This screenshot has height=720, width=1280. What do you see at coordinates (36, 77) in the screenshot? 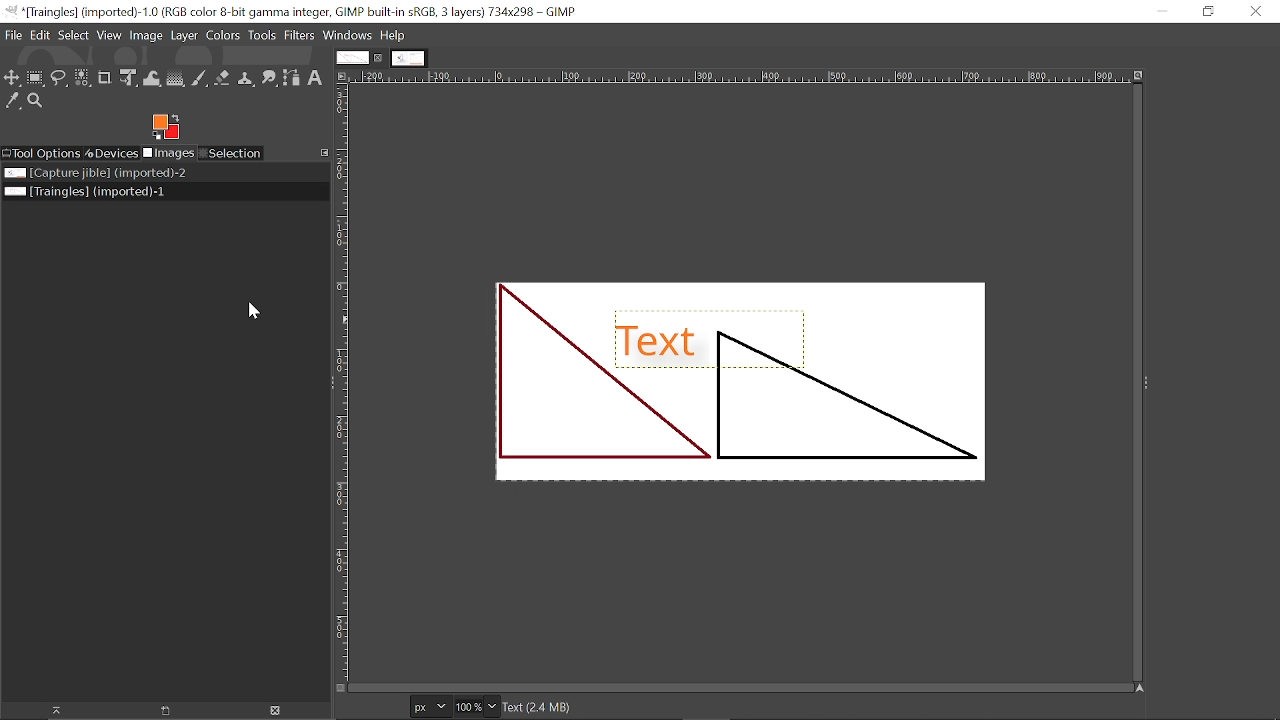
I see `Rectangular select` at bounding box center [36, 77].